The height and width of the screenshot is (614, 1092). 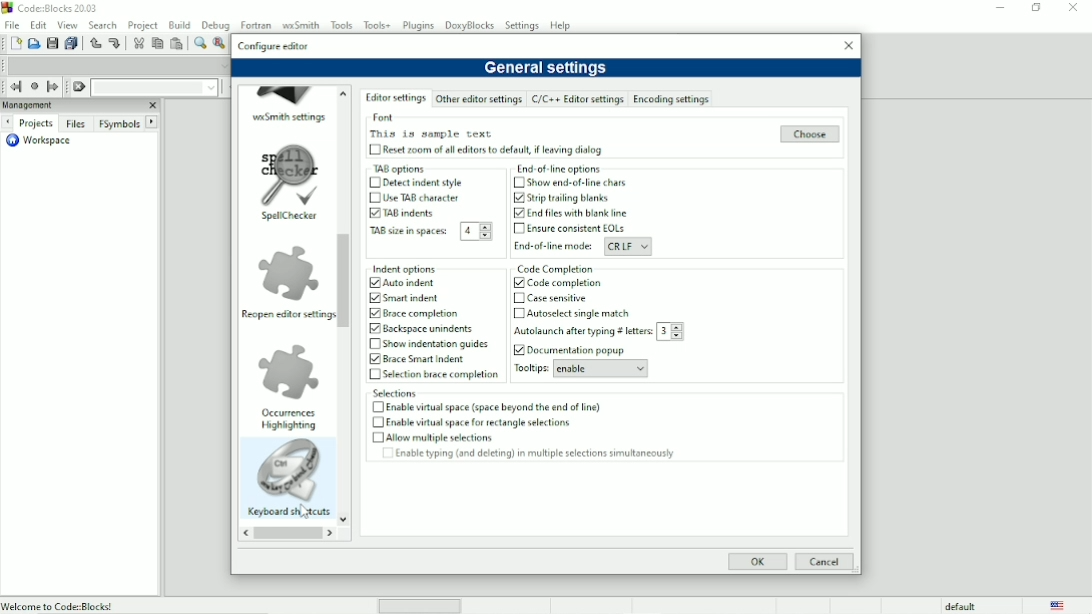 I want to click on Brace completion, so click(x=424, y=313).